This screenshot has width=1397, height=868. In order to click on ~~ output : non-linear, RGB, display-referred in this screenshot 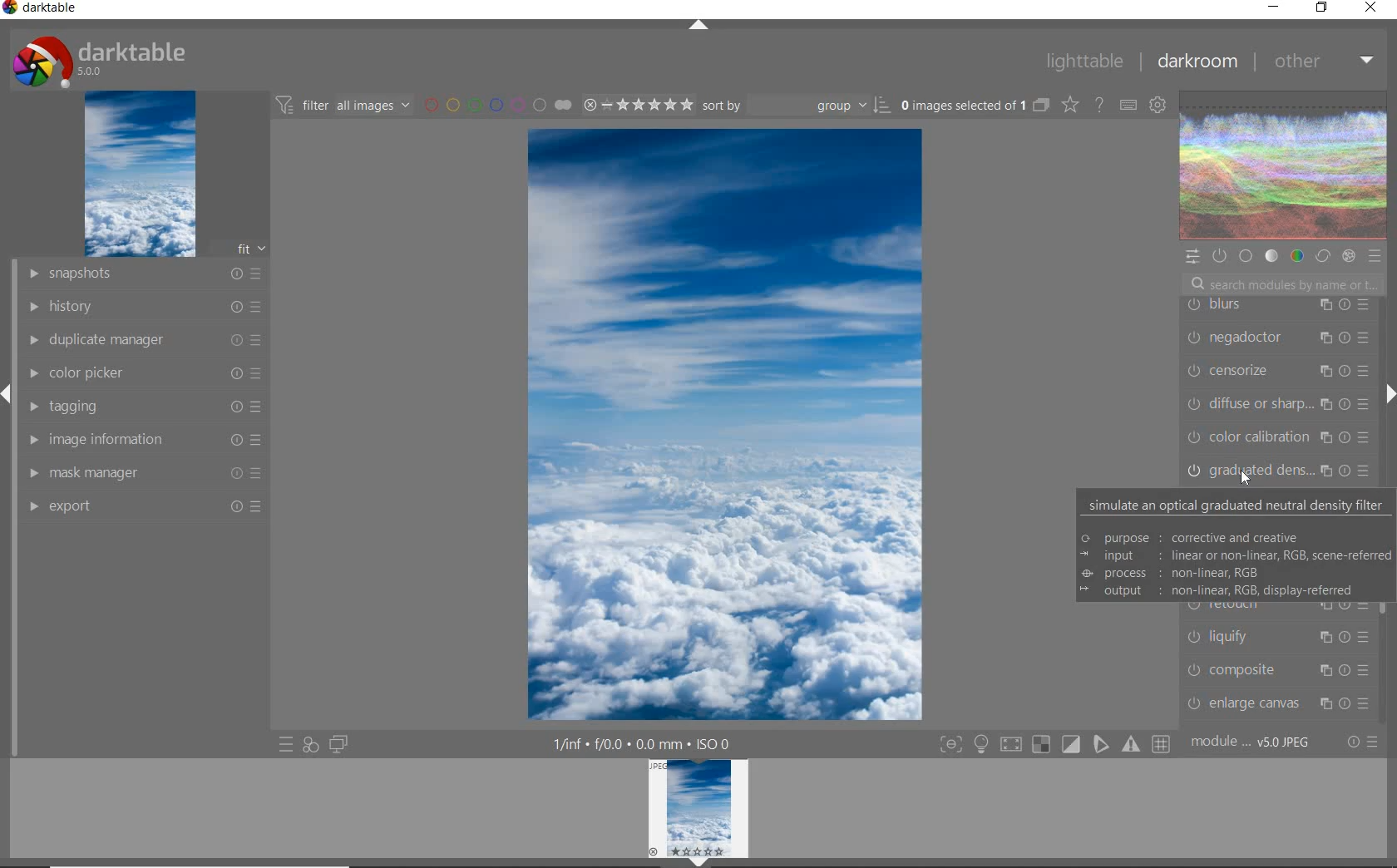, I will do `click(1217, 593)`.